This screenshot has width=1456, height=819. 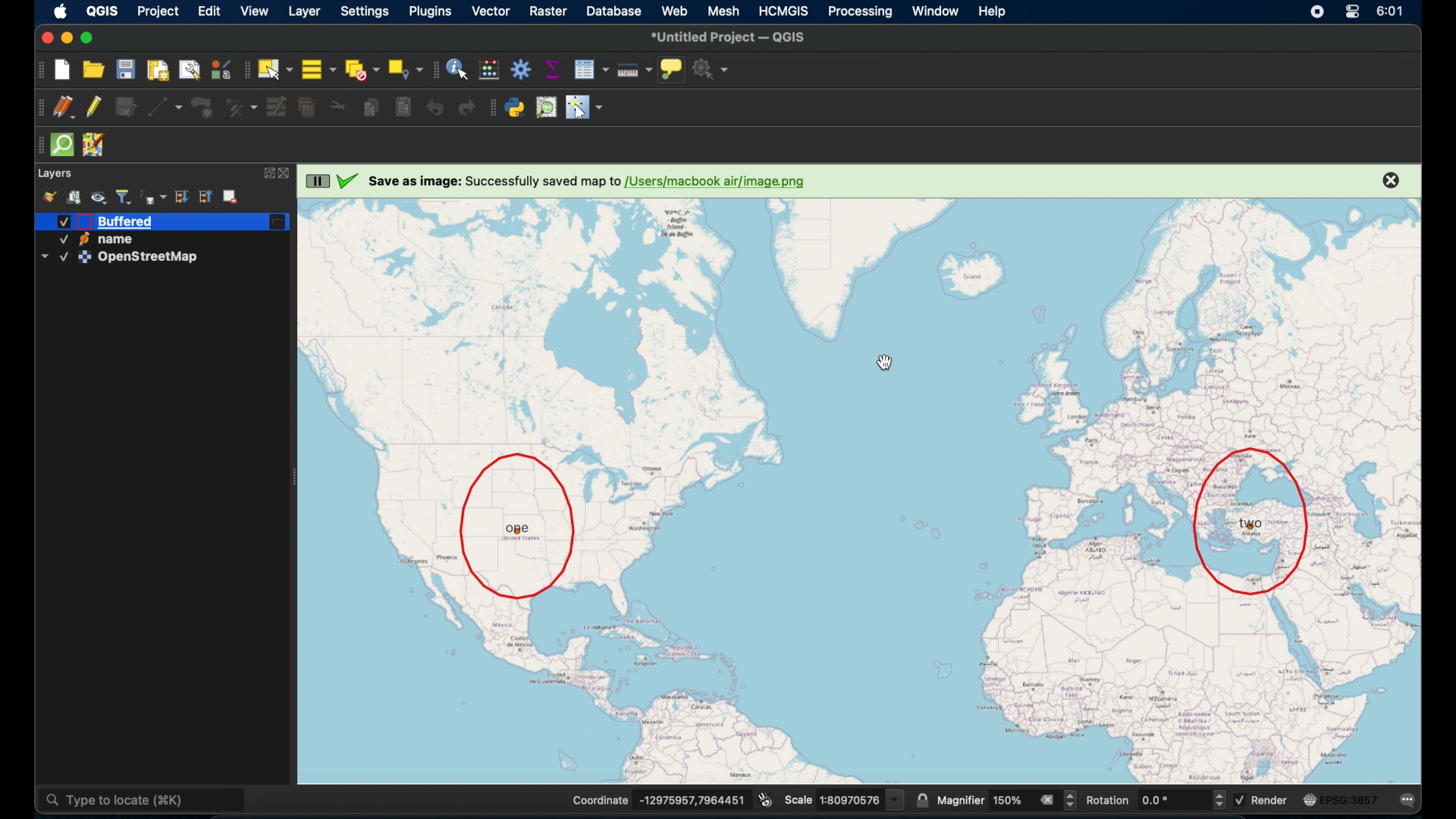 I want to click on mesh, so click(x=725, y=10).